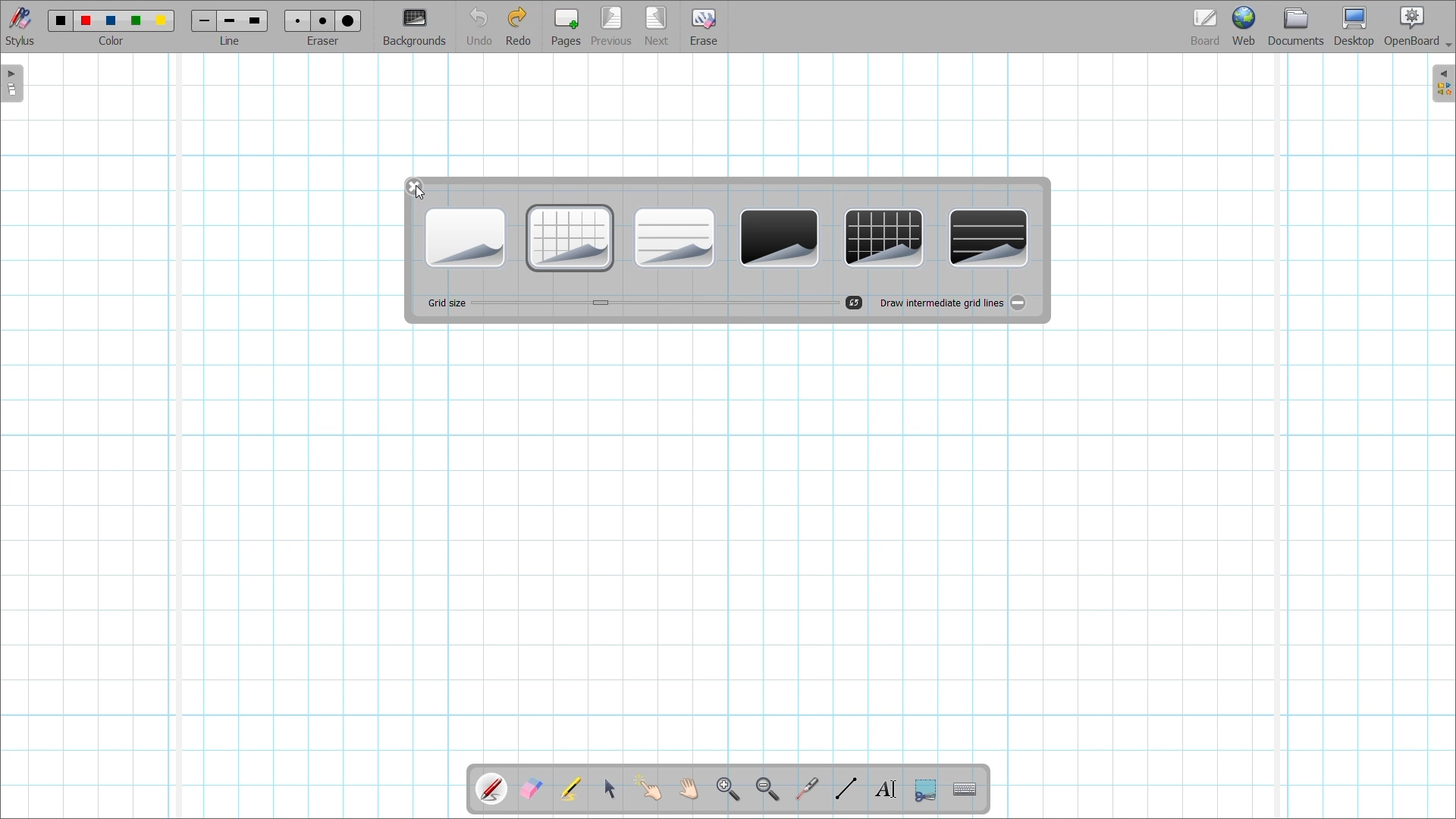 The height and width of the screenshot is (819, 1456). Describe the element at coordinates (727, 789) in the screenshot. I see `Zoom in` at that location.